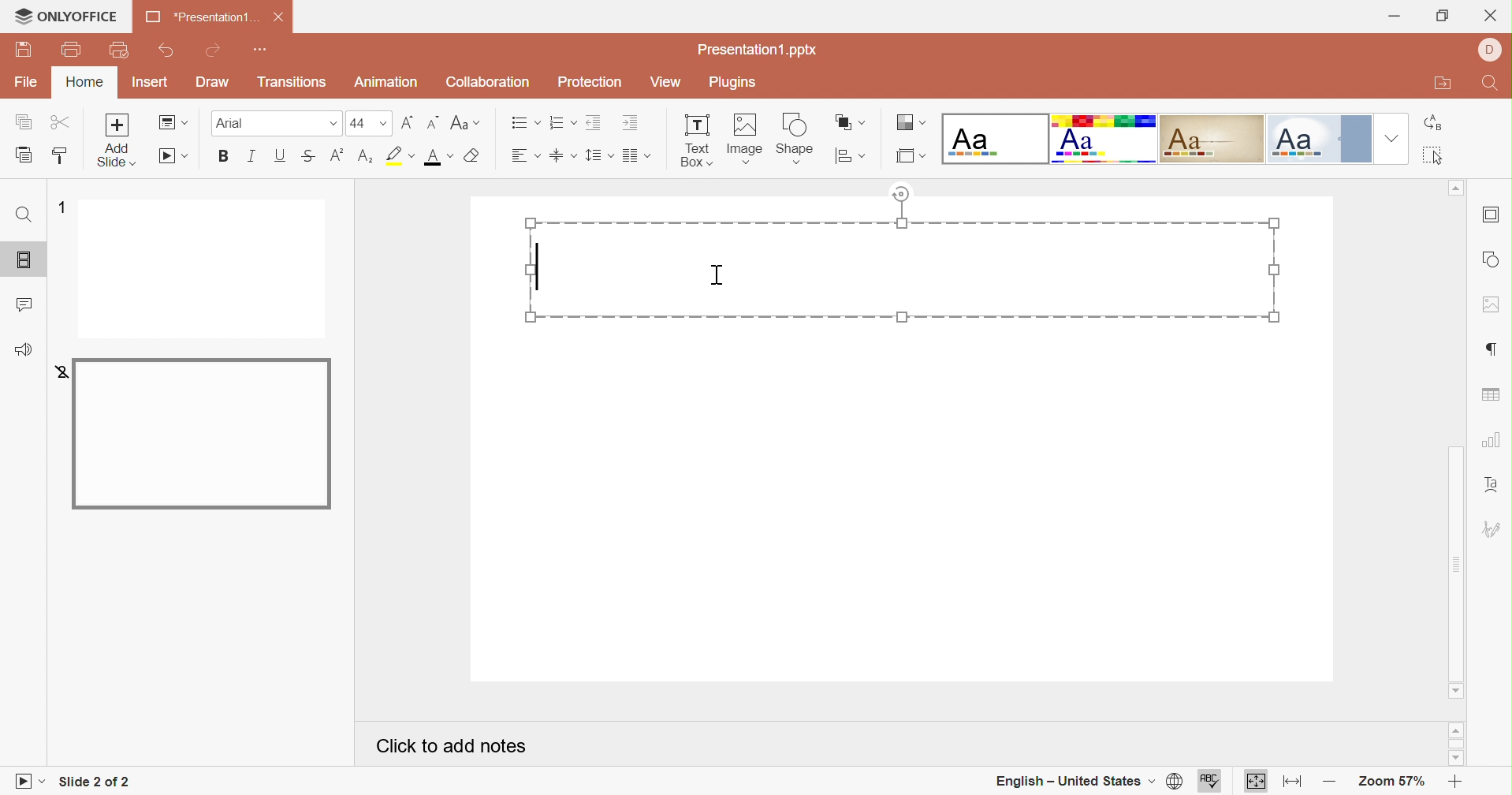 Image resolution: width=1512 pixels, height=795 pixels. I want to click on Scroll down, so click(1454, 692).